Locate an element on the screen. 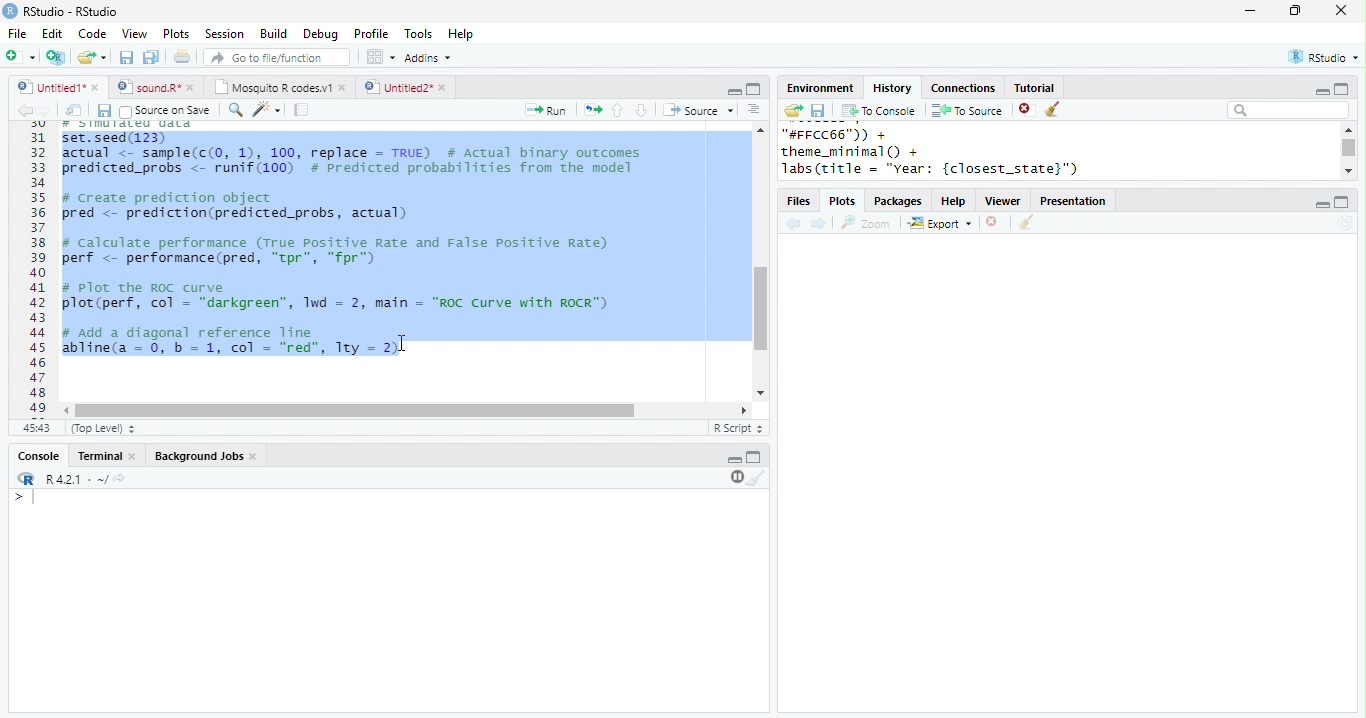 The width and height of the screenshot is (1366, 718). options is located at coordinates (379, 57).